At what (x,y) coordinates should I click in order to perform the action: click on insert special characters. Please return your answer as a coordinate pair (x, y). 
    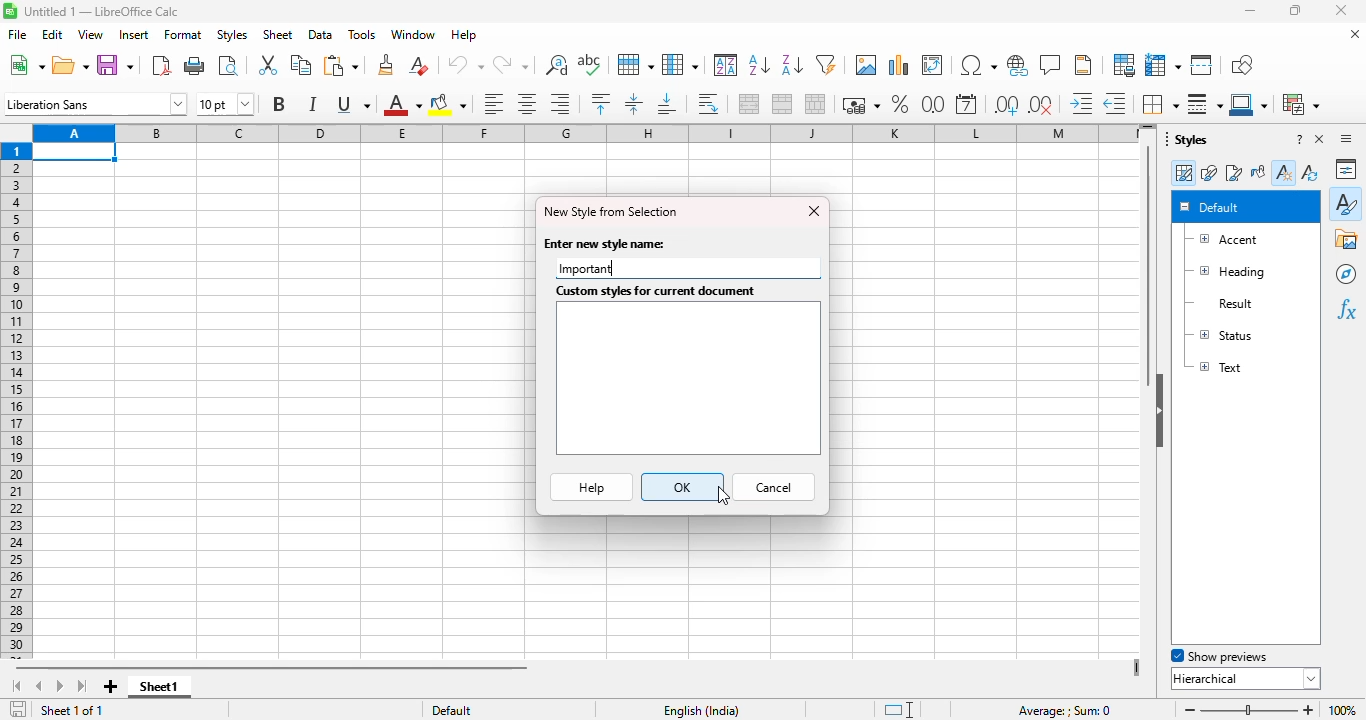
    Looking at the image, I should click on (978, 65).